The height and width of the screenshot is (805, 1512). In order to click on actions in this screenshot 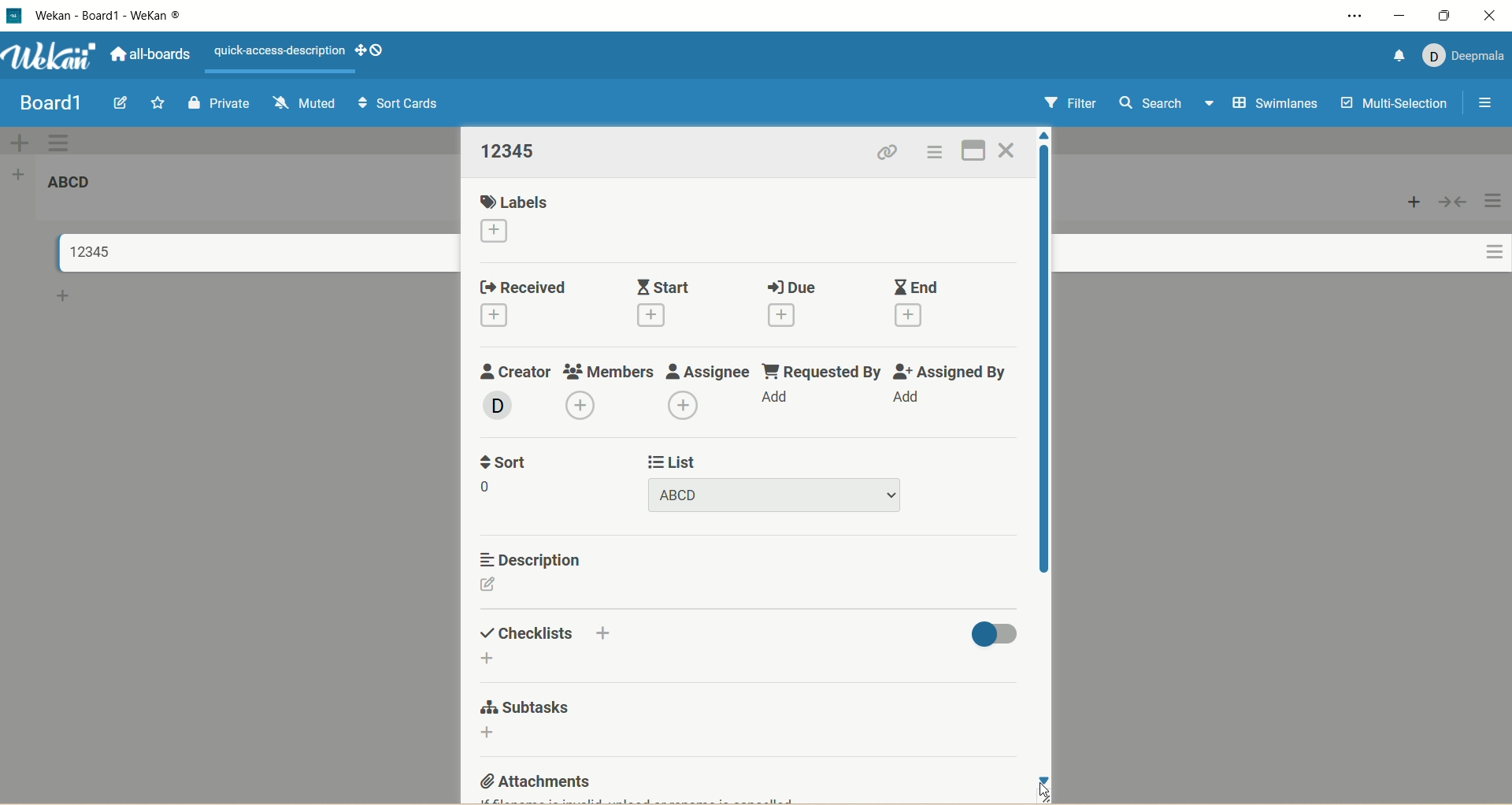, I will do `click(1488, 239)`.